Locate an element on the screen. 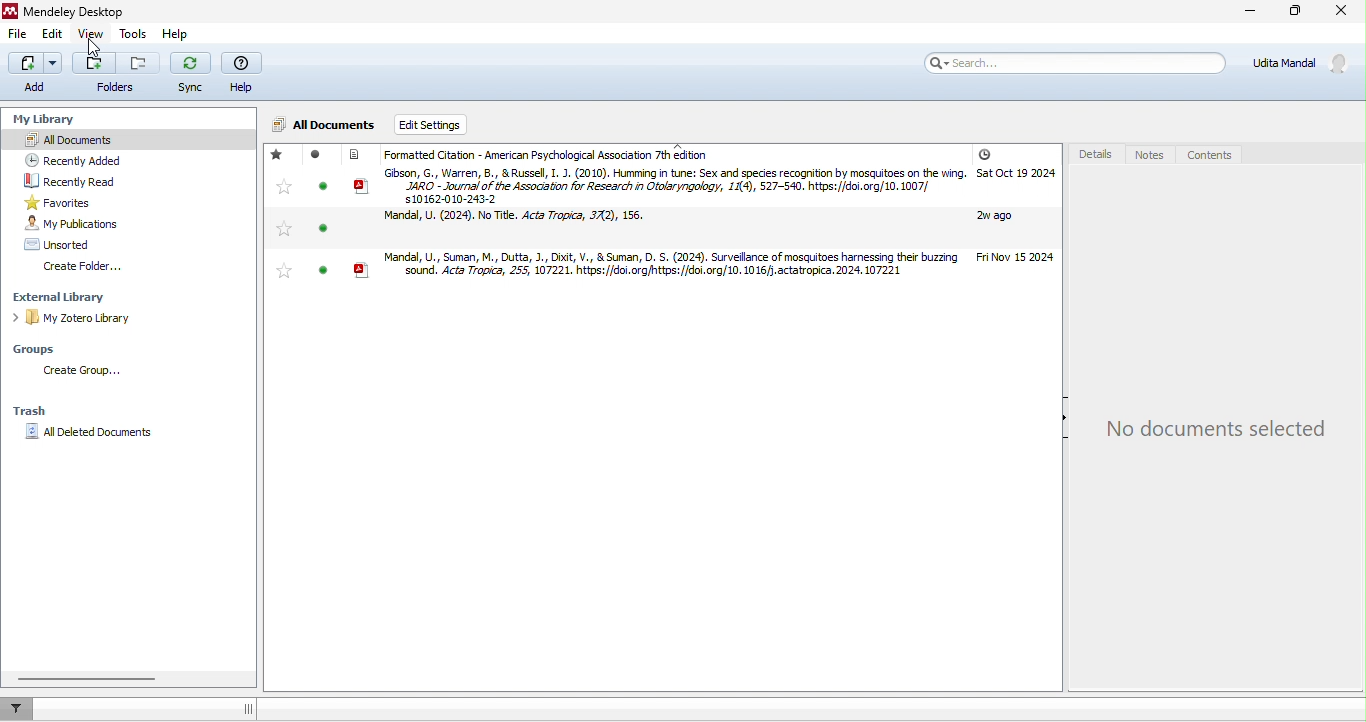 This screenshot has height=722, width=1366. folder is located at coordinates (113, 75).